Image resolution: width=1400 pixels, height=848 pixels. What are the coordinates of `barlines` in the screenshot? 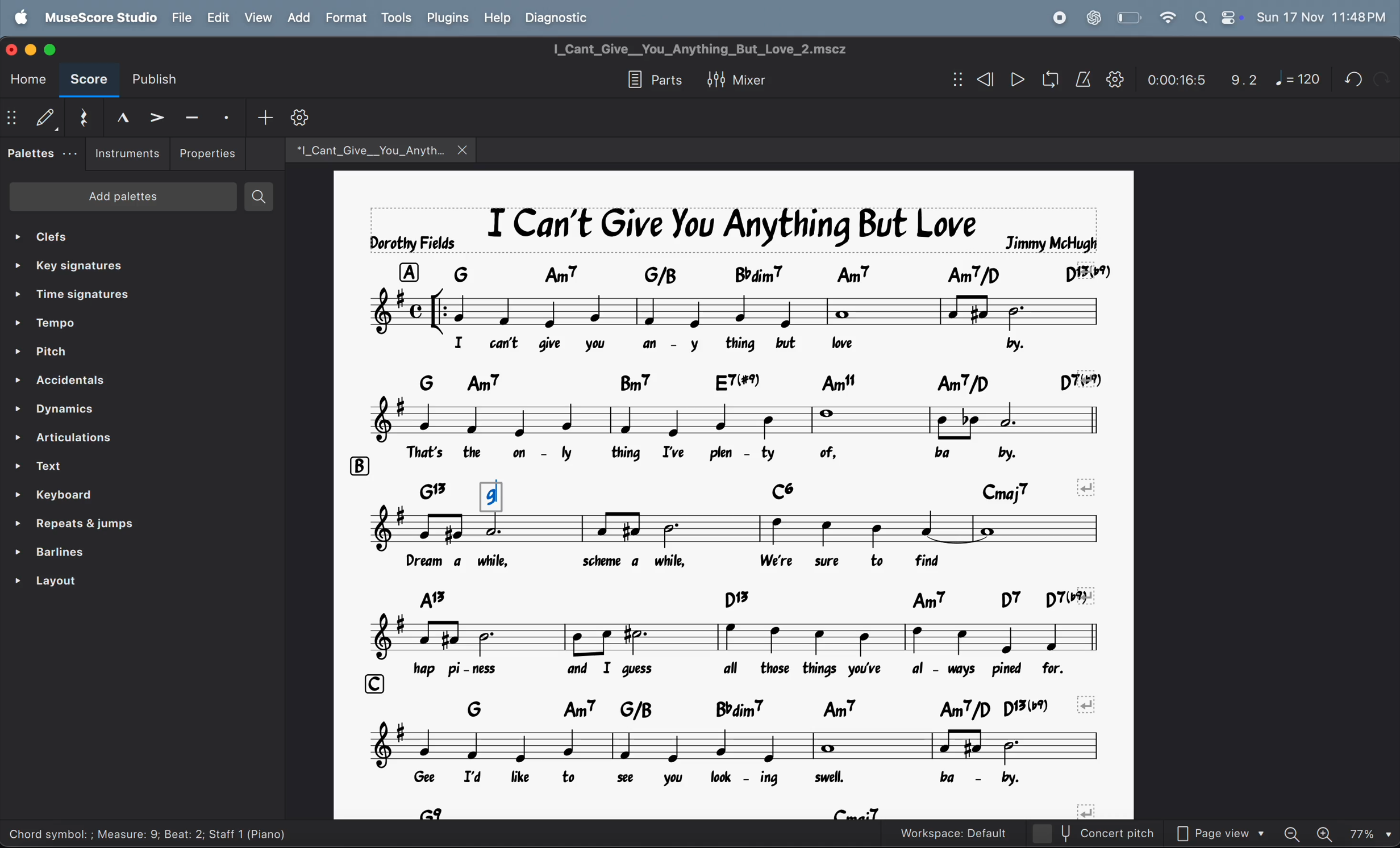 It's located at (116, 554).